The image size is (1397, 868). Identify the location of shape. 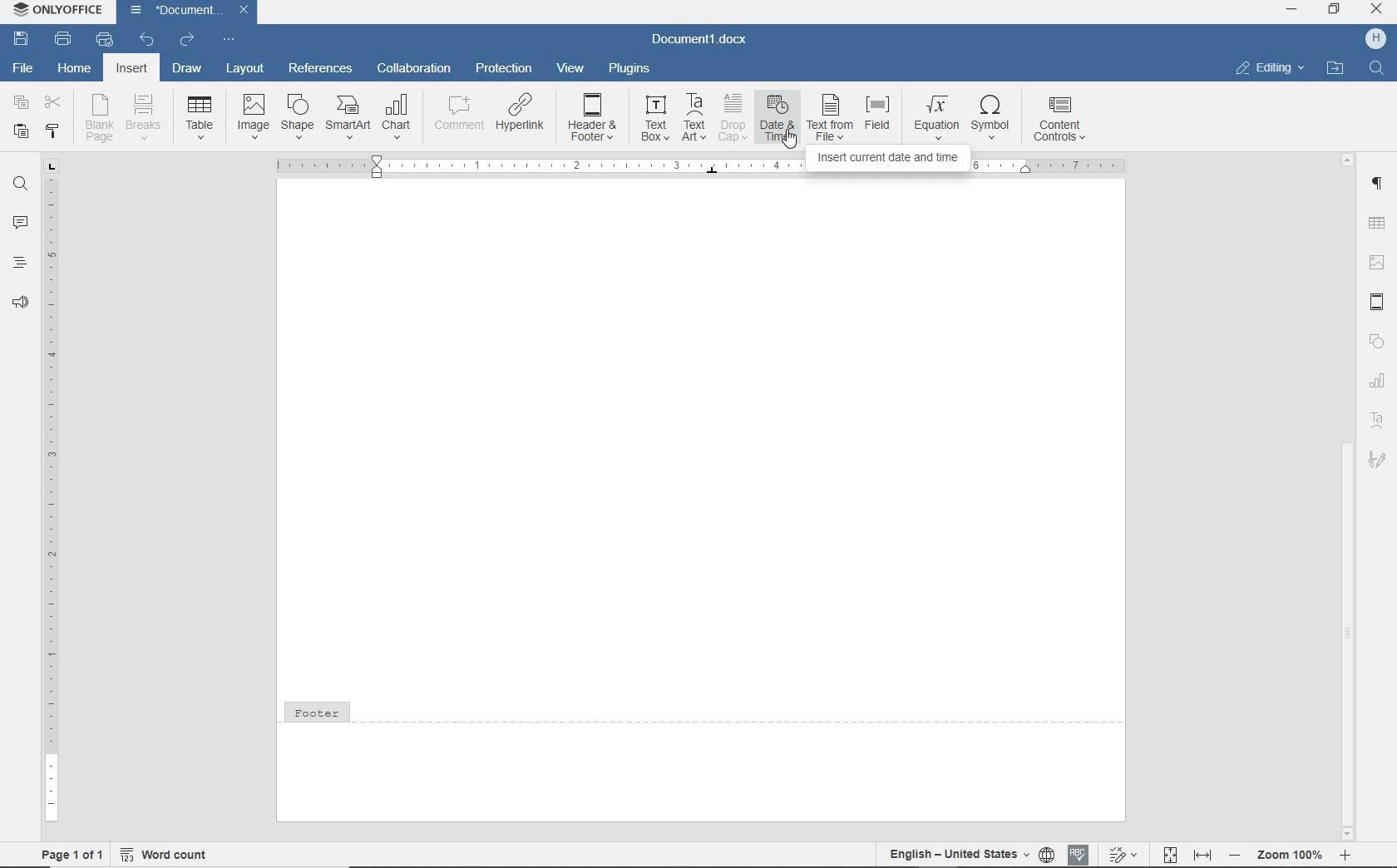
(296, 116).